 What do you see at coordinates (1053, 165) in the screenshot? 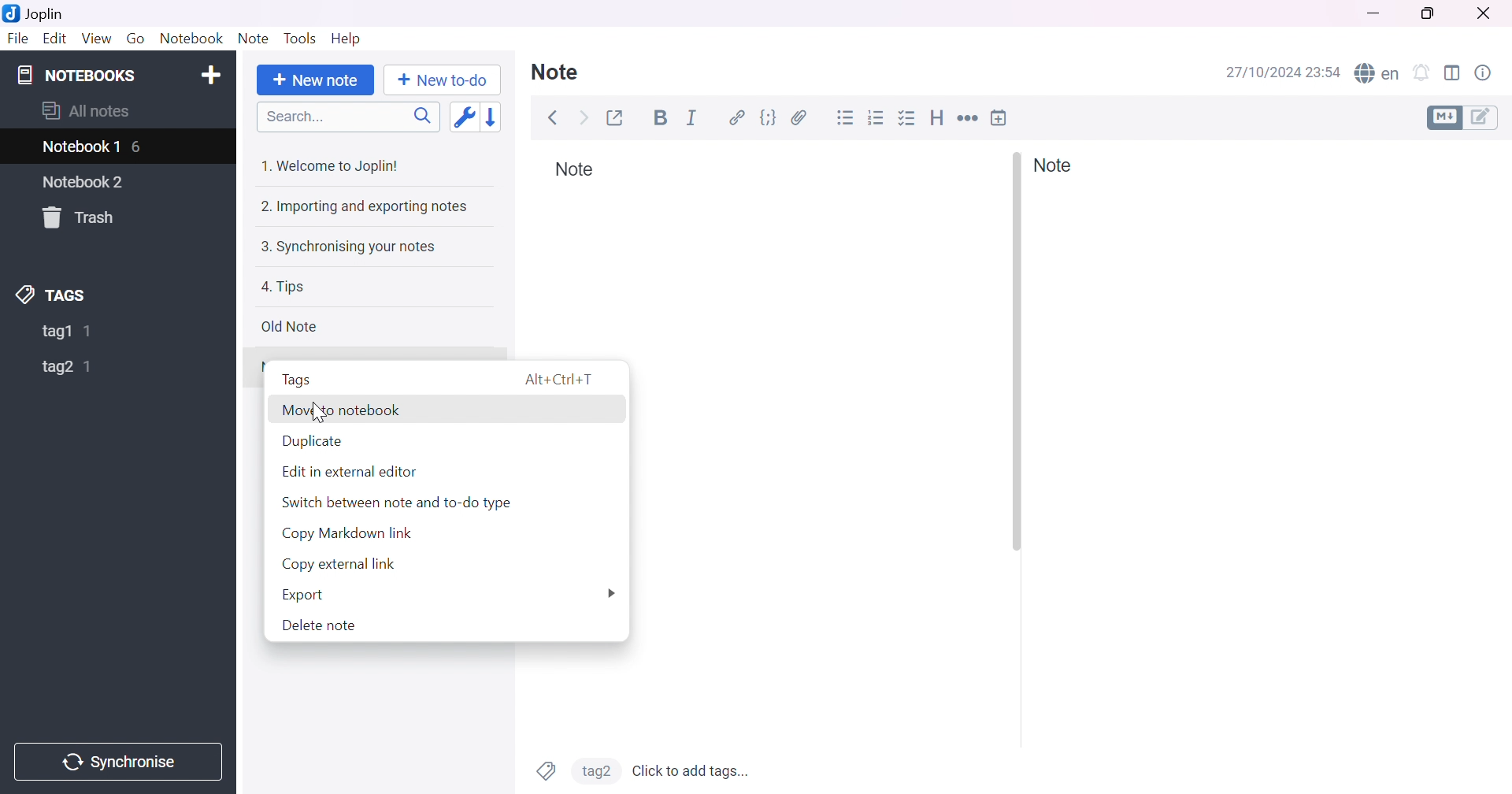
I see `Note` at bounding box center [1053, 165].